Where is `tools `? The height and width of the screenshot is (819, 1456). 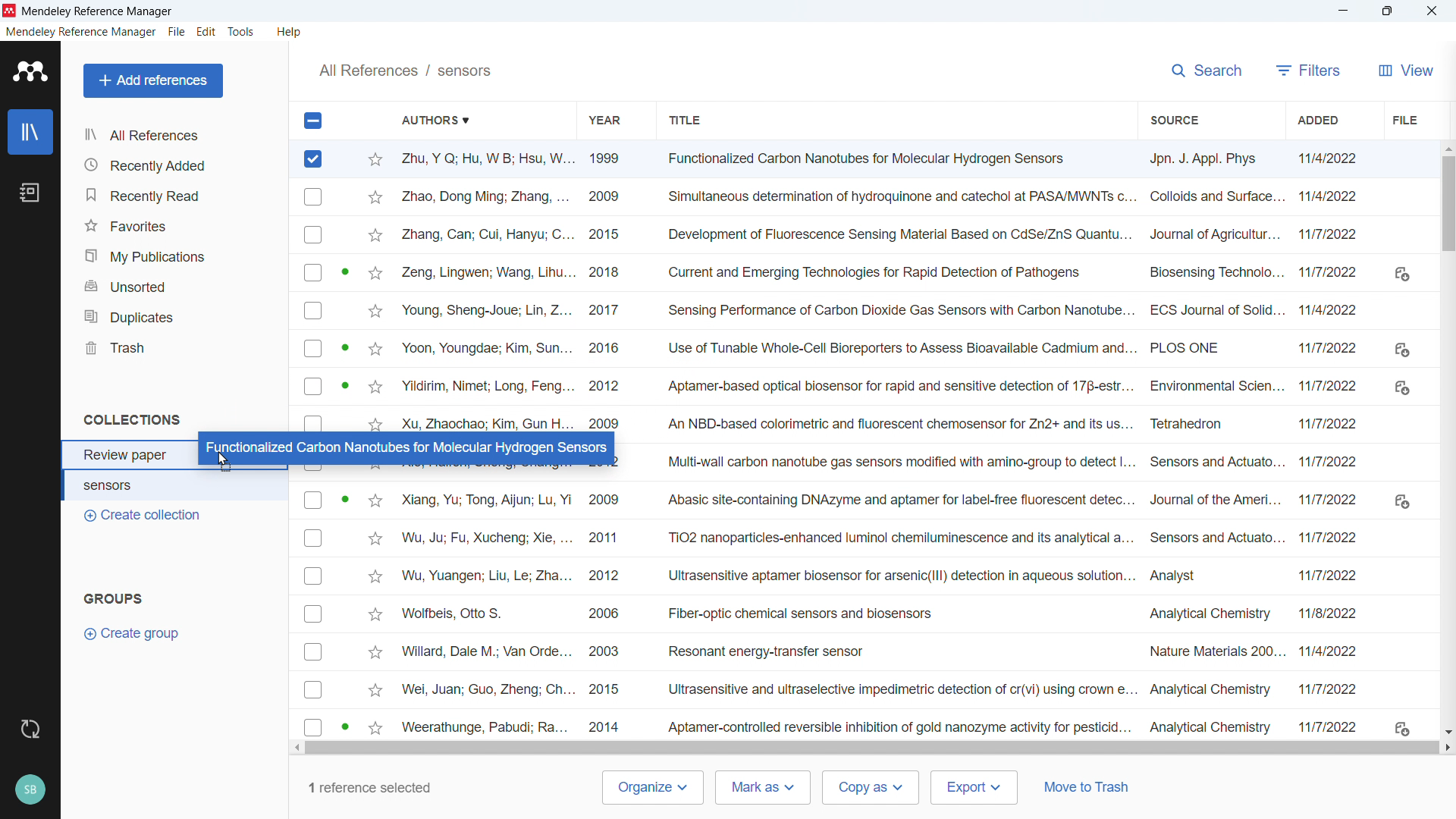 tools  is located at coordinates (243, 32).